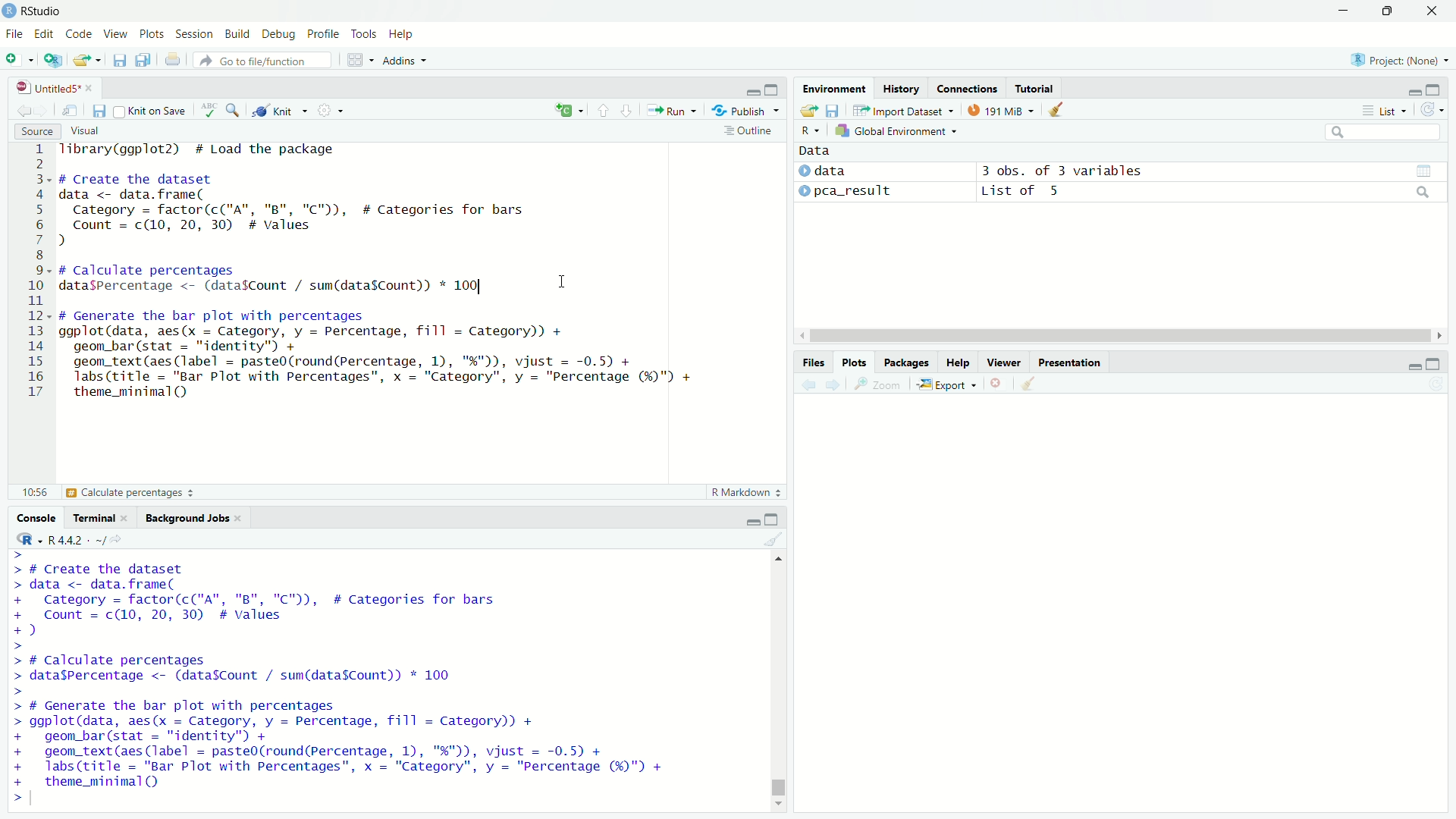 The height and width of the screenshot is (819, 1456). Describe the element at coordinates (739, 111) in the screenshot. I see `publish` at that location.